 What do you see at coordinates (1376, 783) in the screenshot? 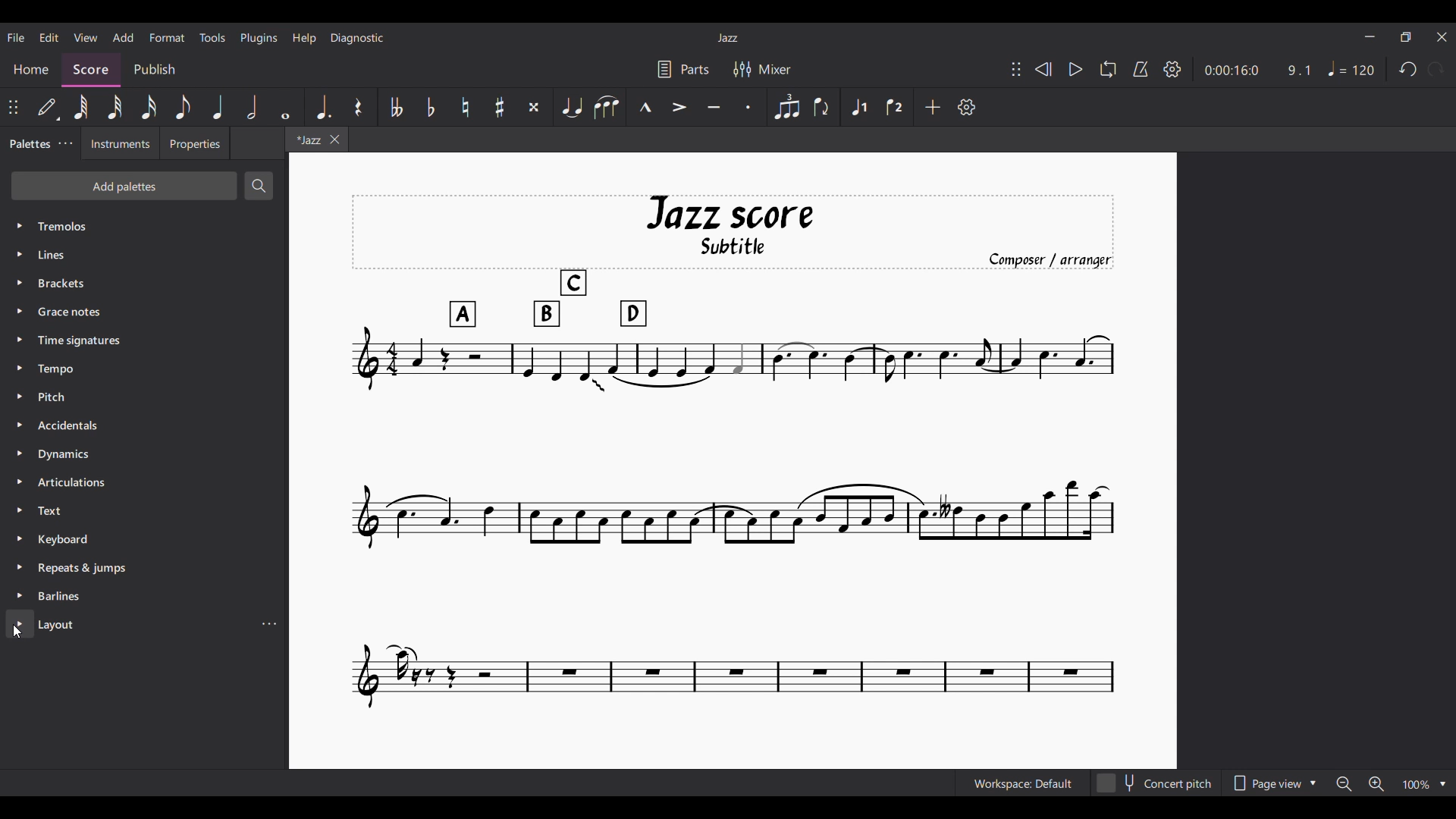
I see `Zoom in` at bounding box center [1376, 783].